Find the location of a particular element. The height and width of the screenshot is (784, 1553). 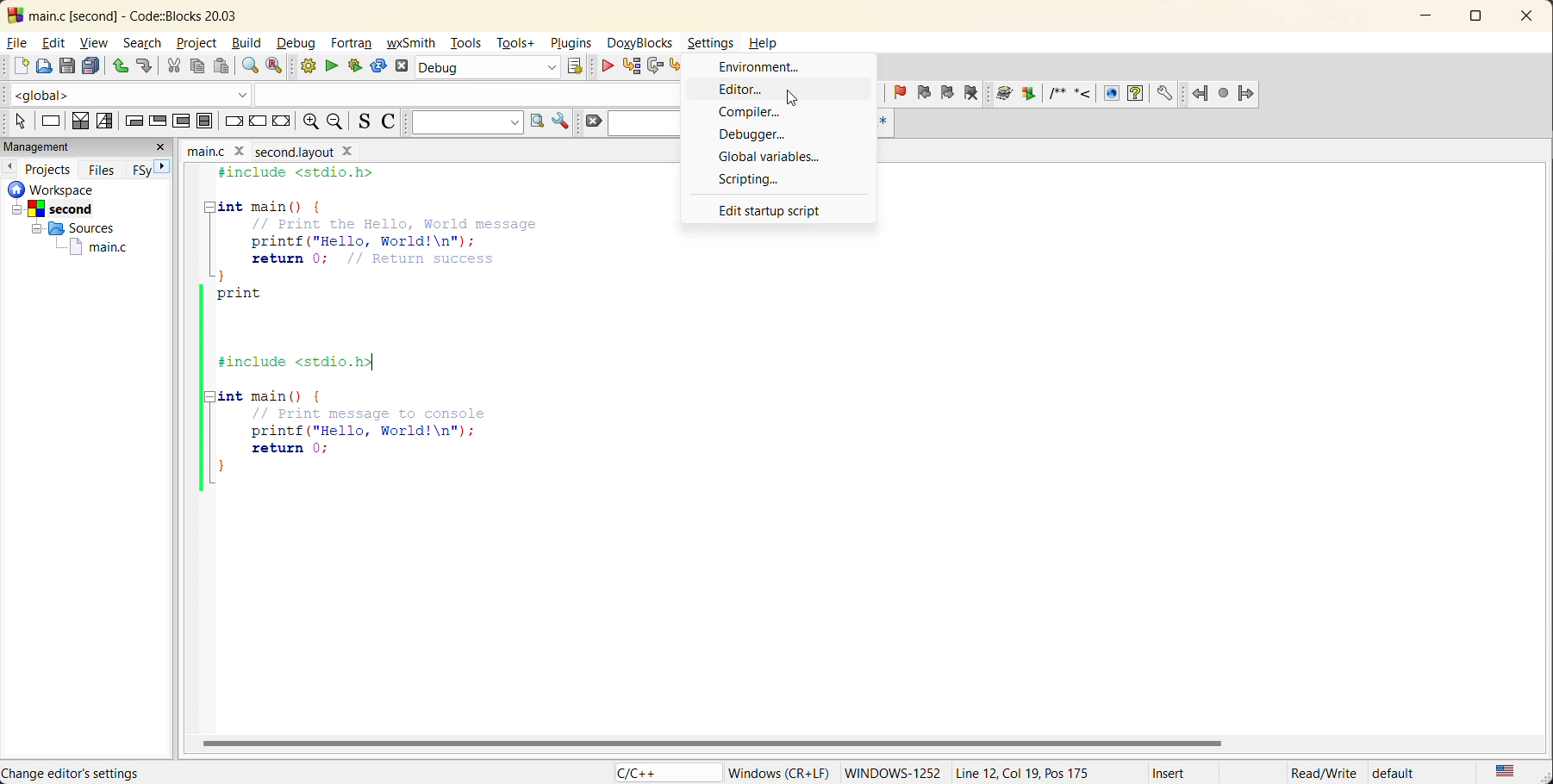

plugins is located at coordinates (571, 46).